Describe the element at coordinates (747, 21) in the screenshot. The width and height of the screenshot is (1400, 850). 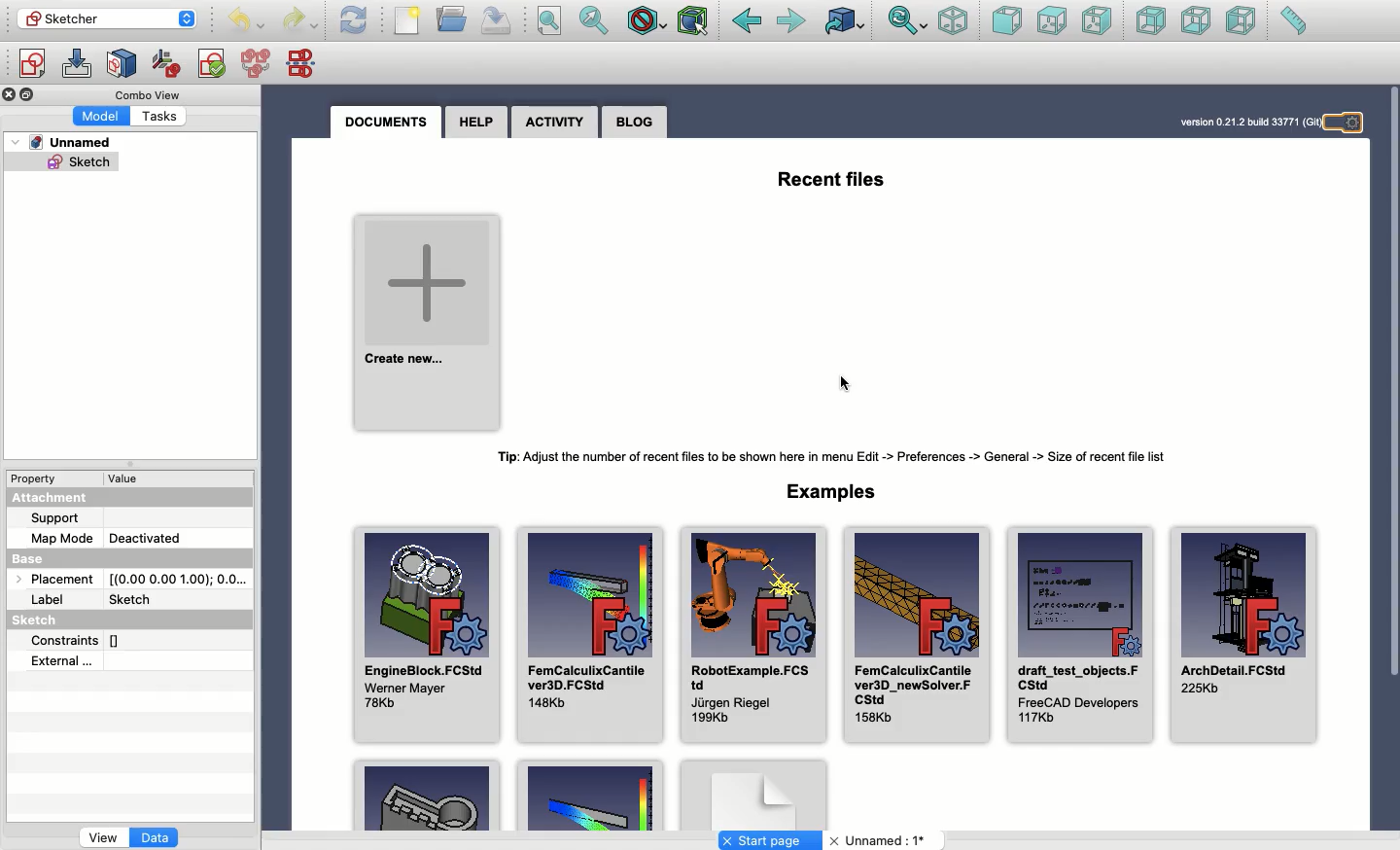
I see `Back` at that location.